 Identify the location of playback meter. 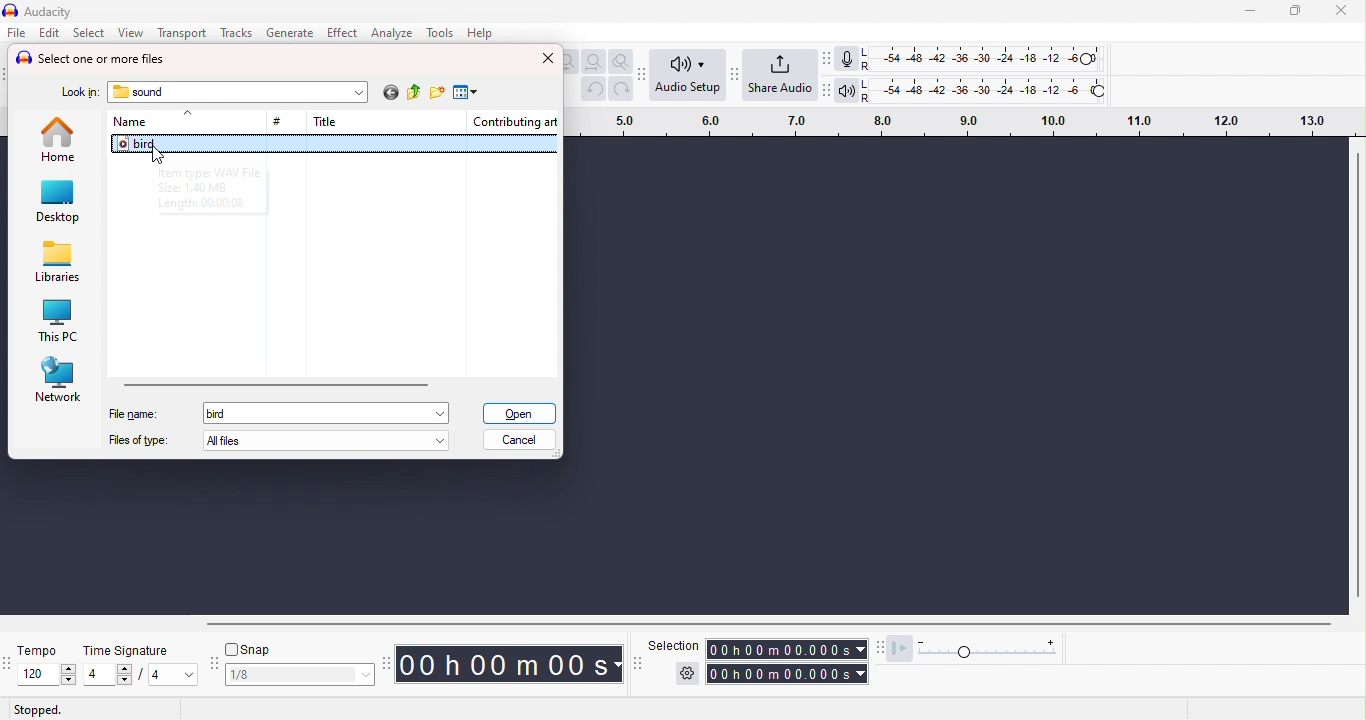
(849, 89).